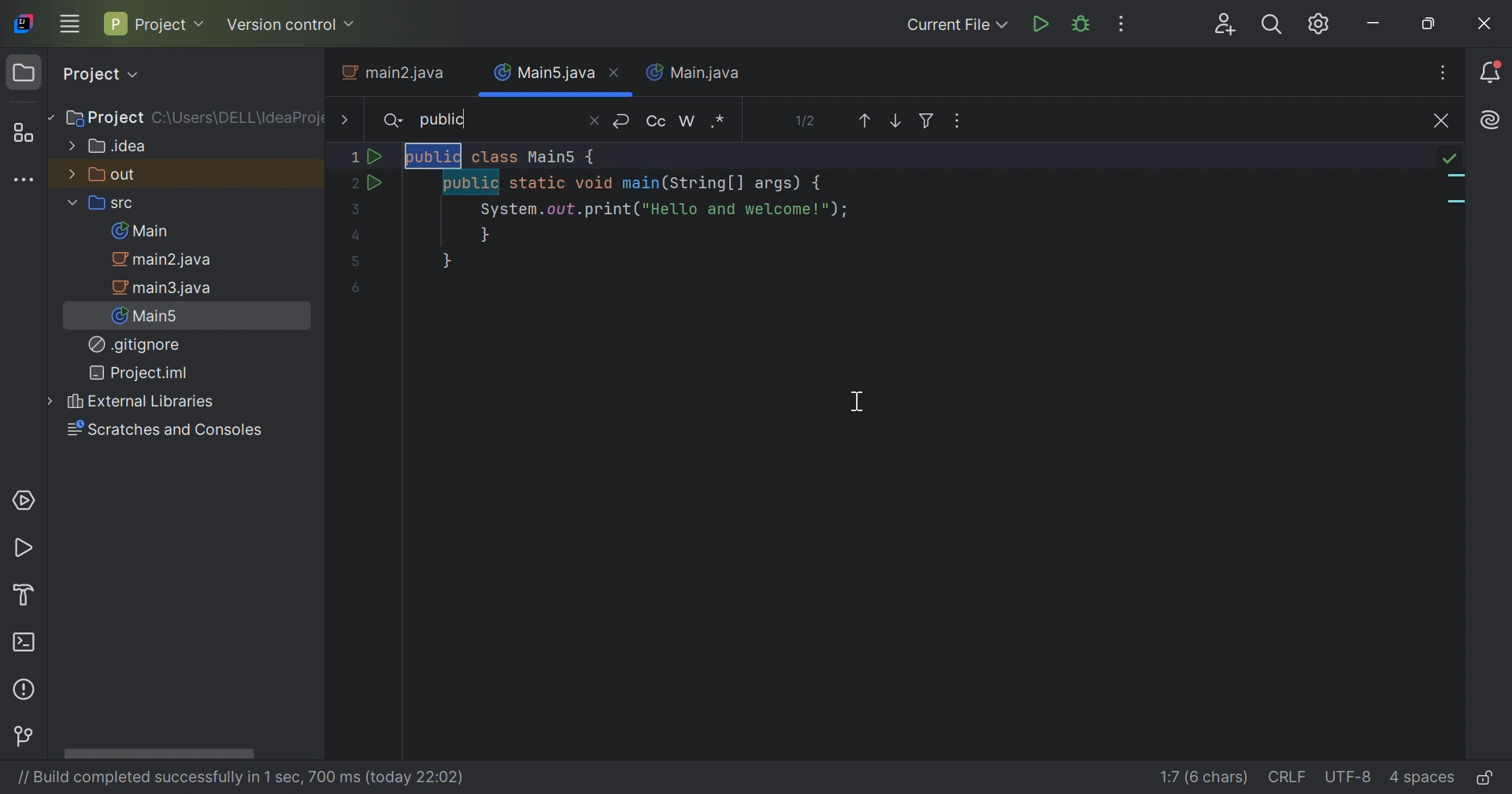 Image resolution: width=1512 pixels, height=794 pixels. Describe the element at coordinates (27, 688) in the screenshot. I see `Problems` at that location.